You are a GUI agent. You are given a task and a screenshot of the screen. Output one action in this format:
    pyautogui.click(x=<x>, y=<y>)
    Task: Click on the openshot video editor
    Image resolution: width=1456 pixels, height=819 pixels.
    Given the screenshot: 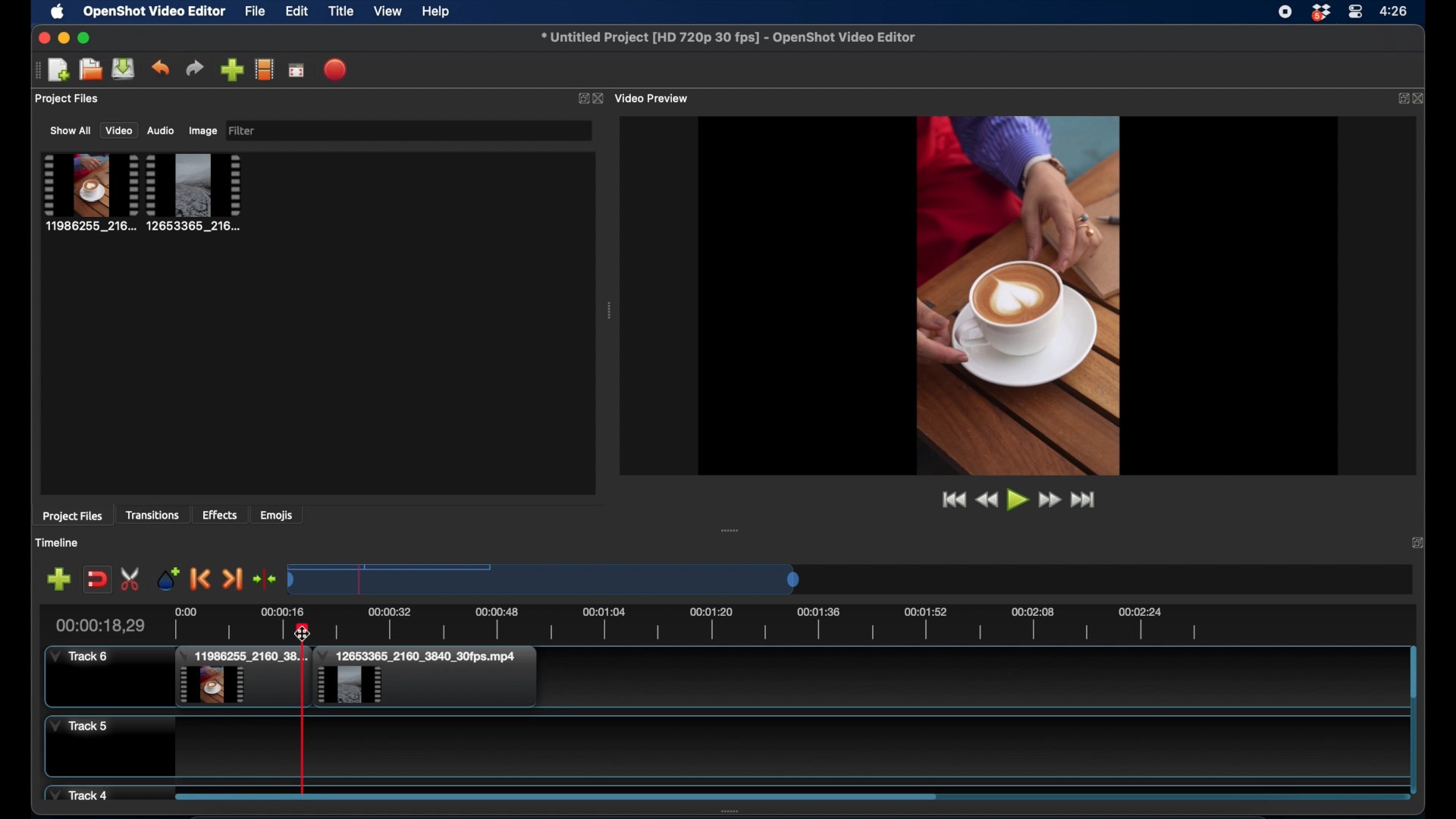 What is the action you would take?
    pyautogui.click(x=155, y=12)
    